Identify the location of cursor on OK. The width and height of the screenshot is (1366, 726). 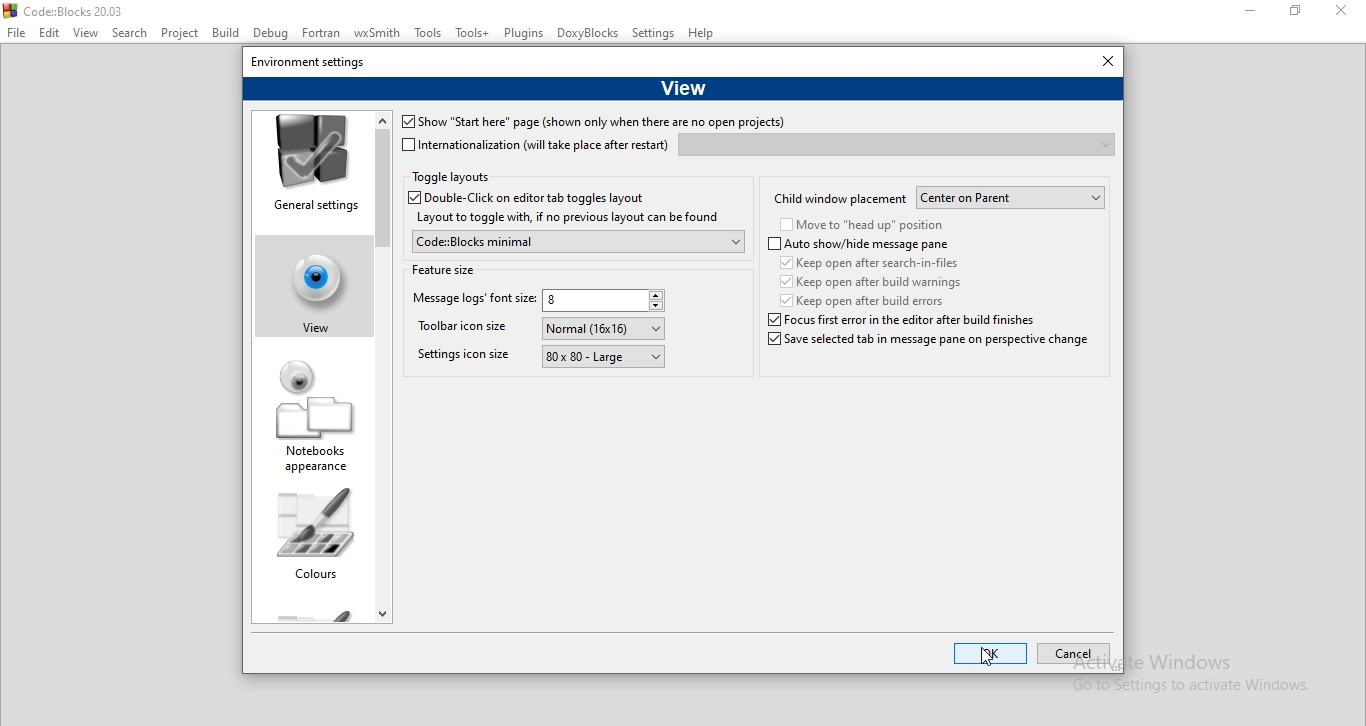
(987, 657).